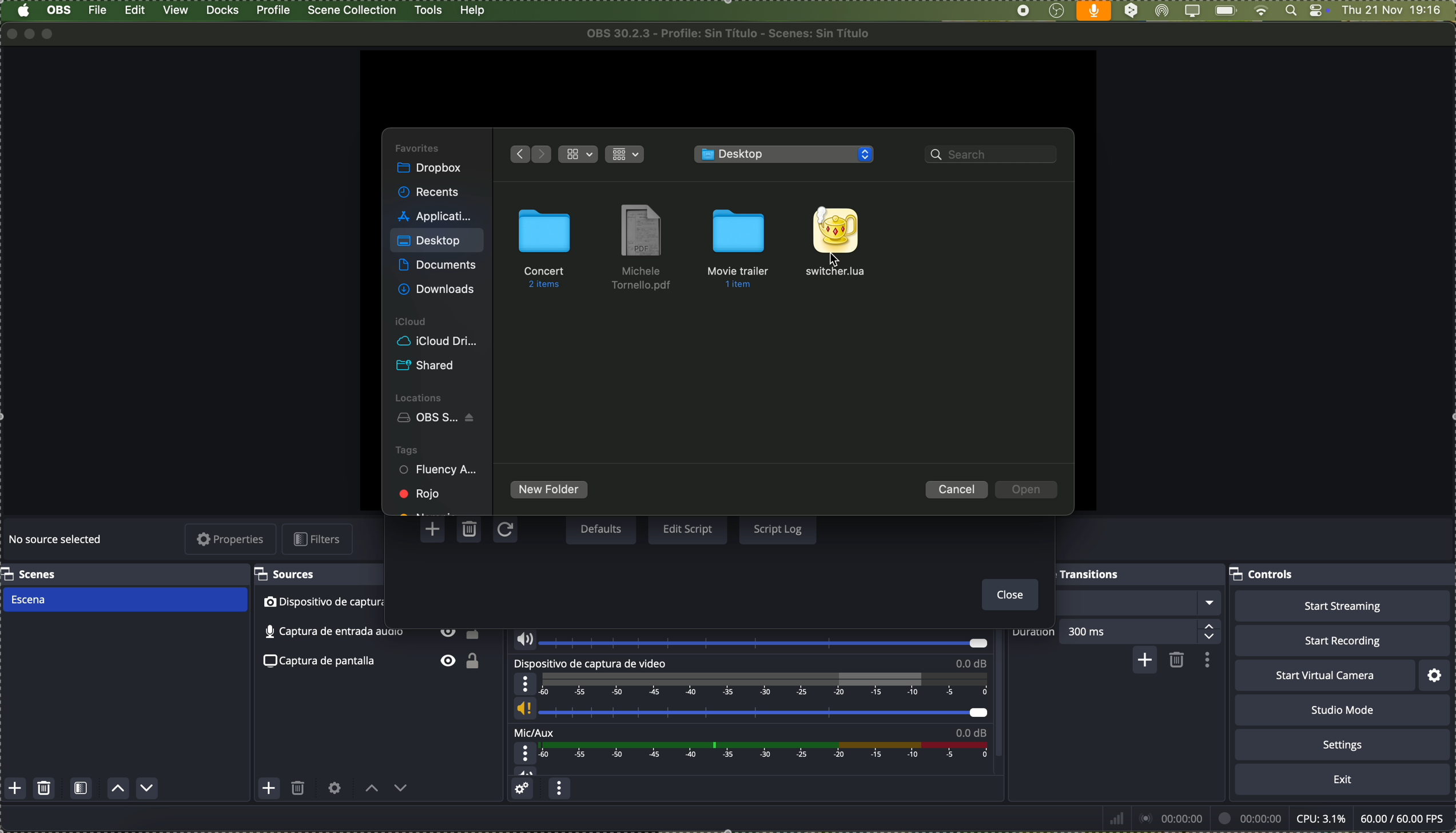  I want to click on add scene, so click(15, 789).